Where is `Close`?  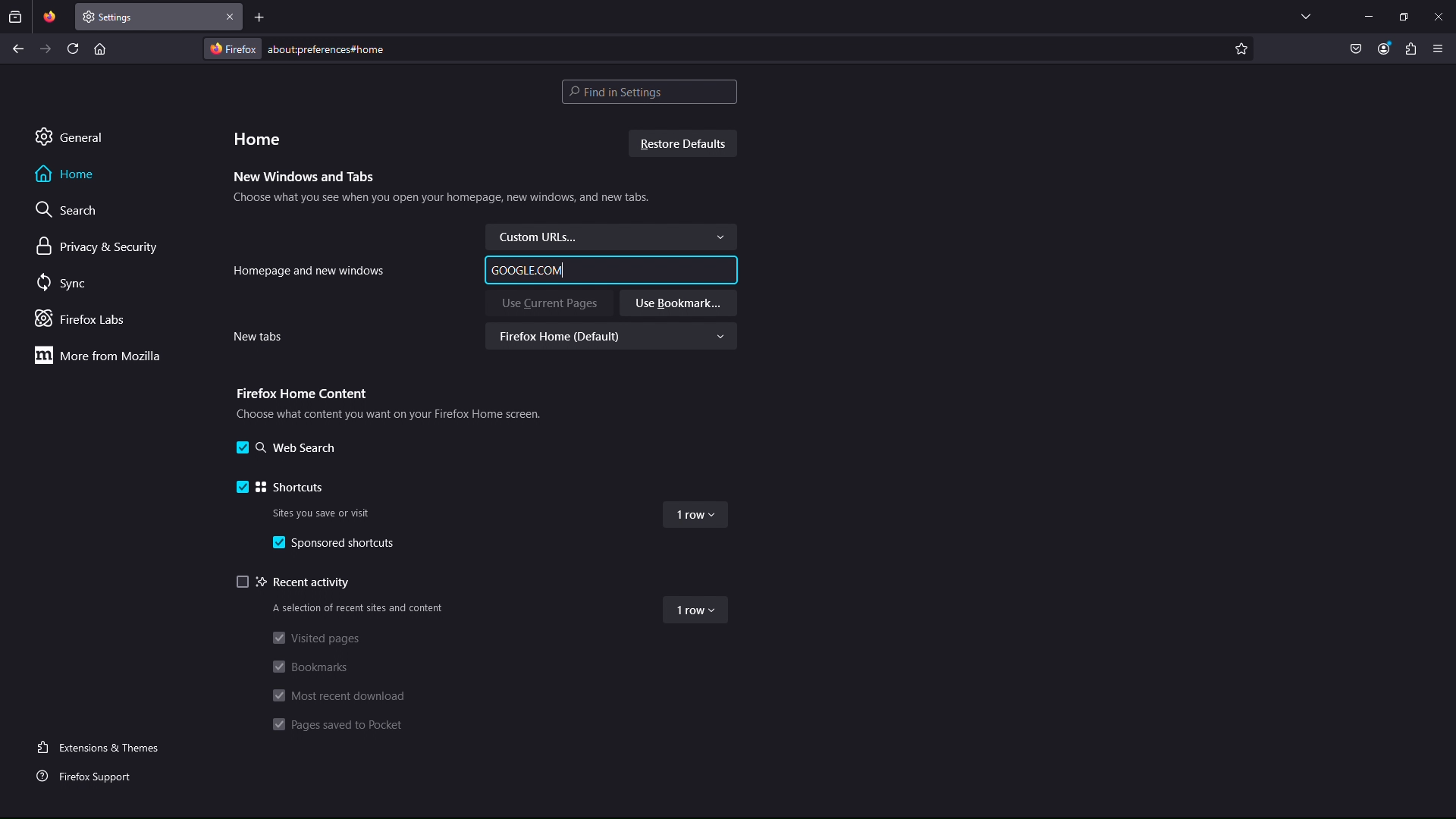 Close is located at coordinates (231, 17).